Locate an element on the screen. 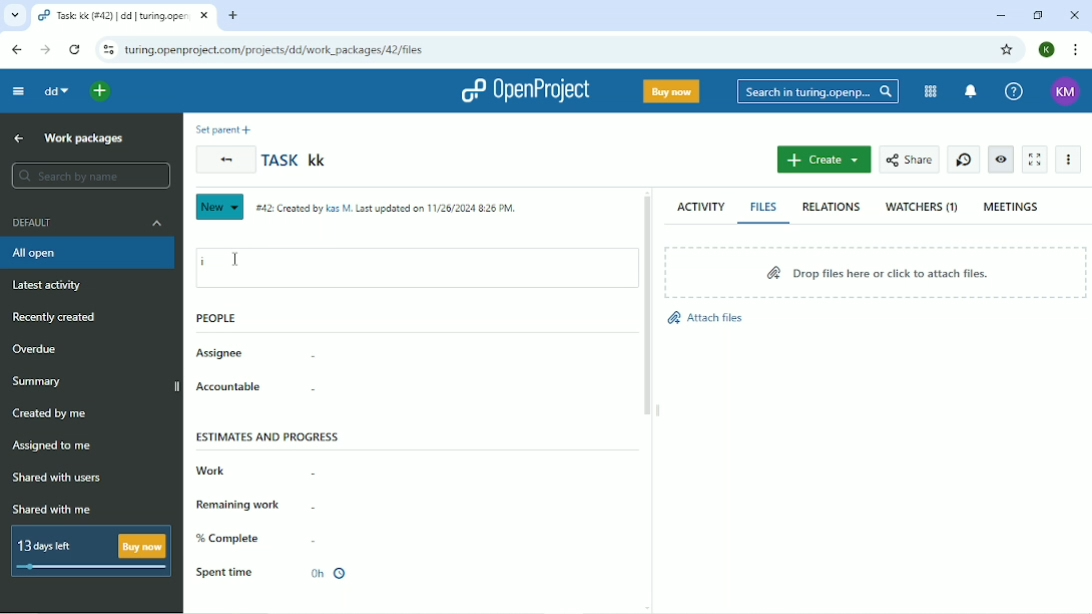 This screenshot has height=614, width=1092. % Complete is located at coordinates (257, 536).